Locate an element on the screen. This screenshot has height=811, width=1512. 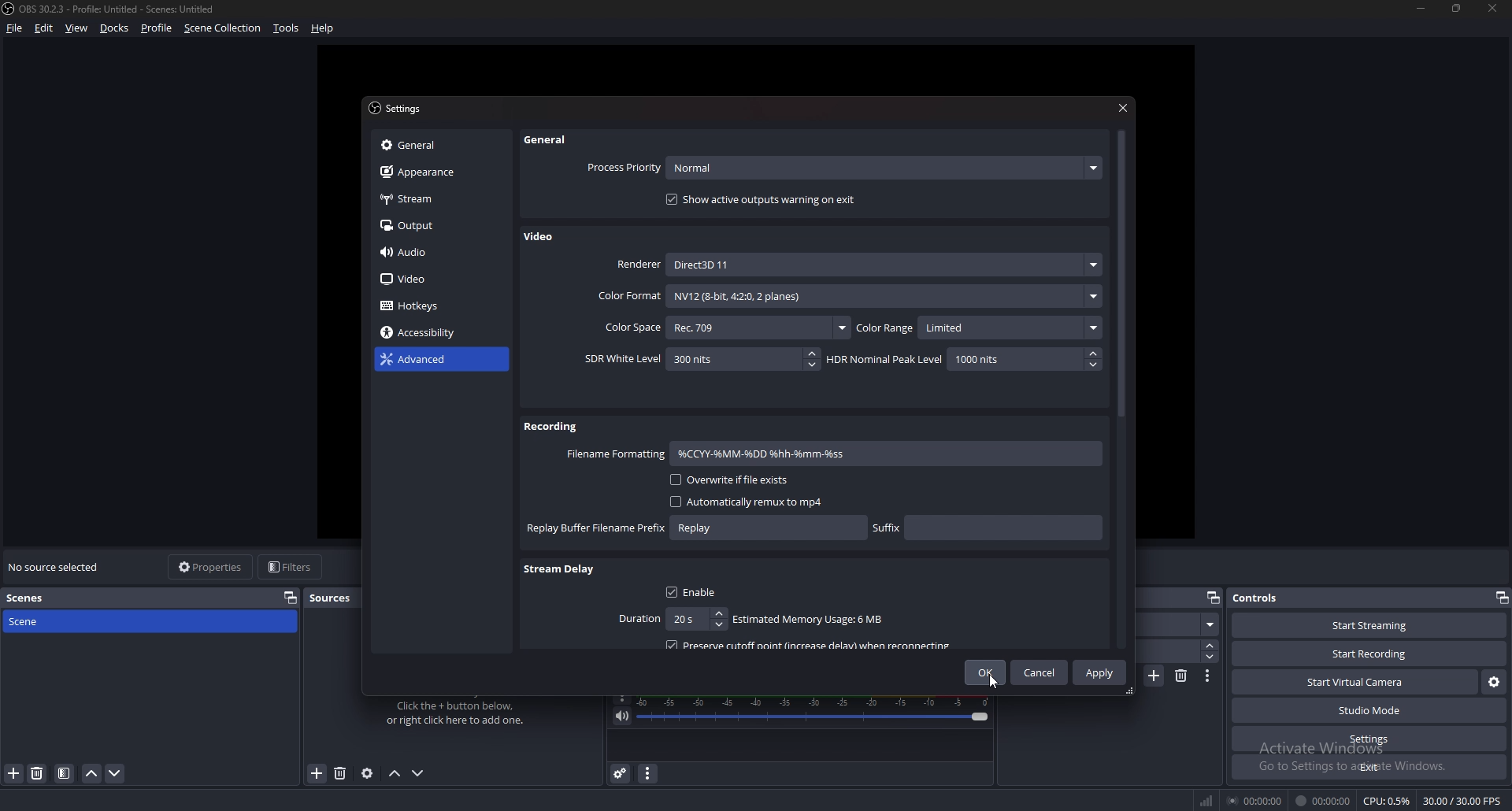
fade is located at coordinates (1177, 624).